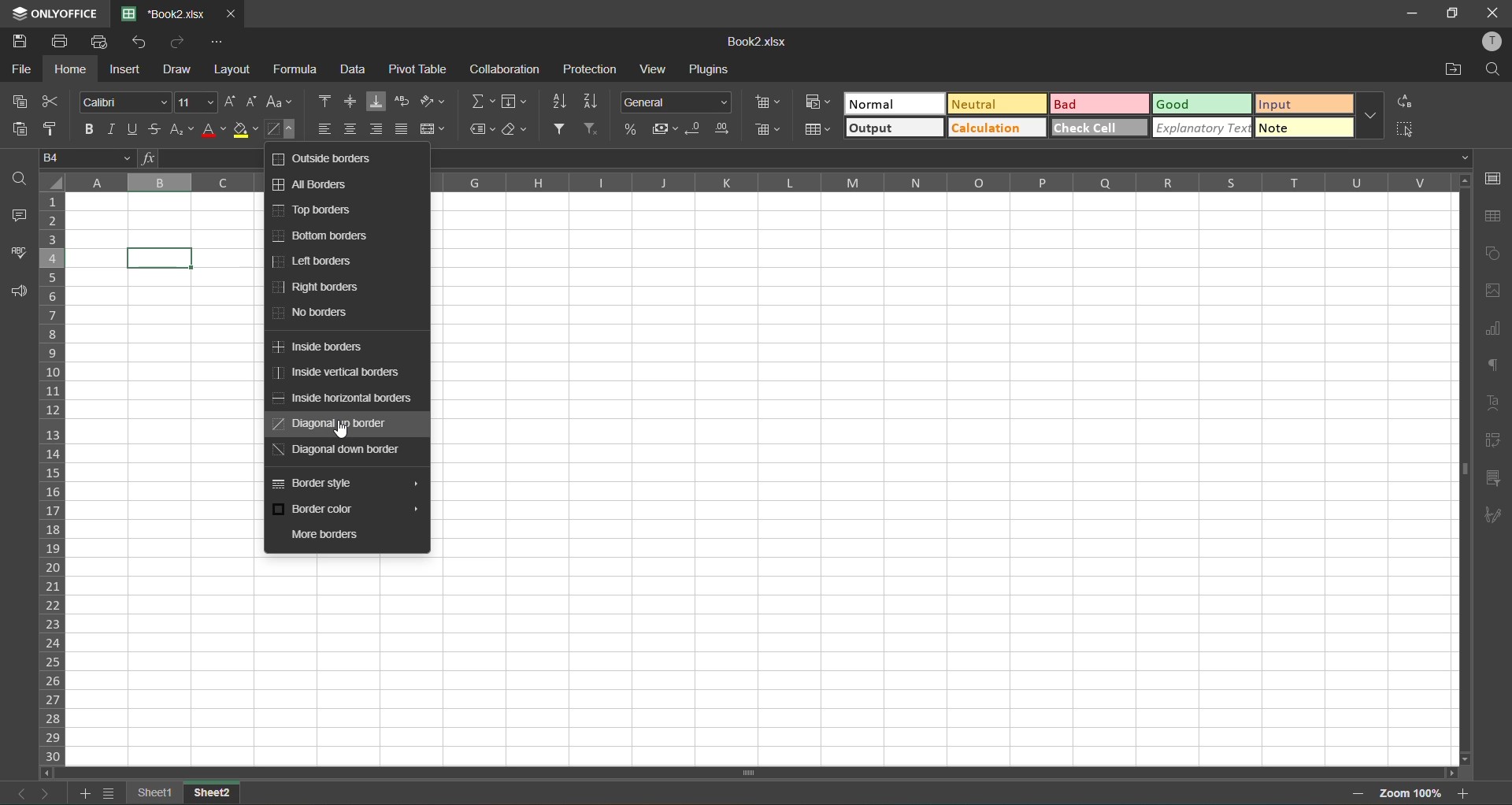 This screenshot has height=805, width=1512. What do you see at coordinates (230, 101) in the screenshot?
I see `increment size` at bounding box center [230, 101].